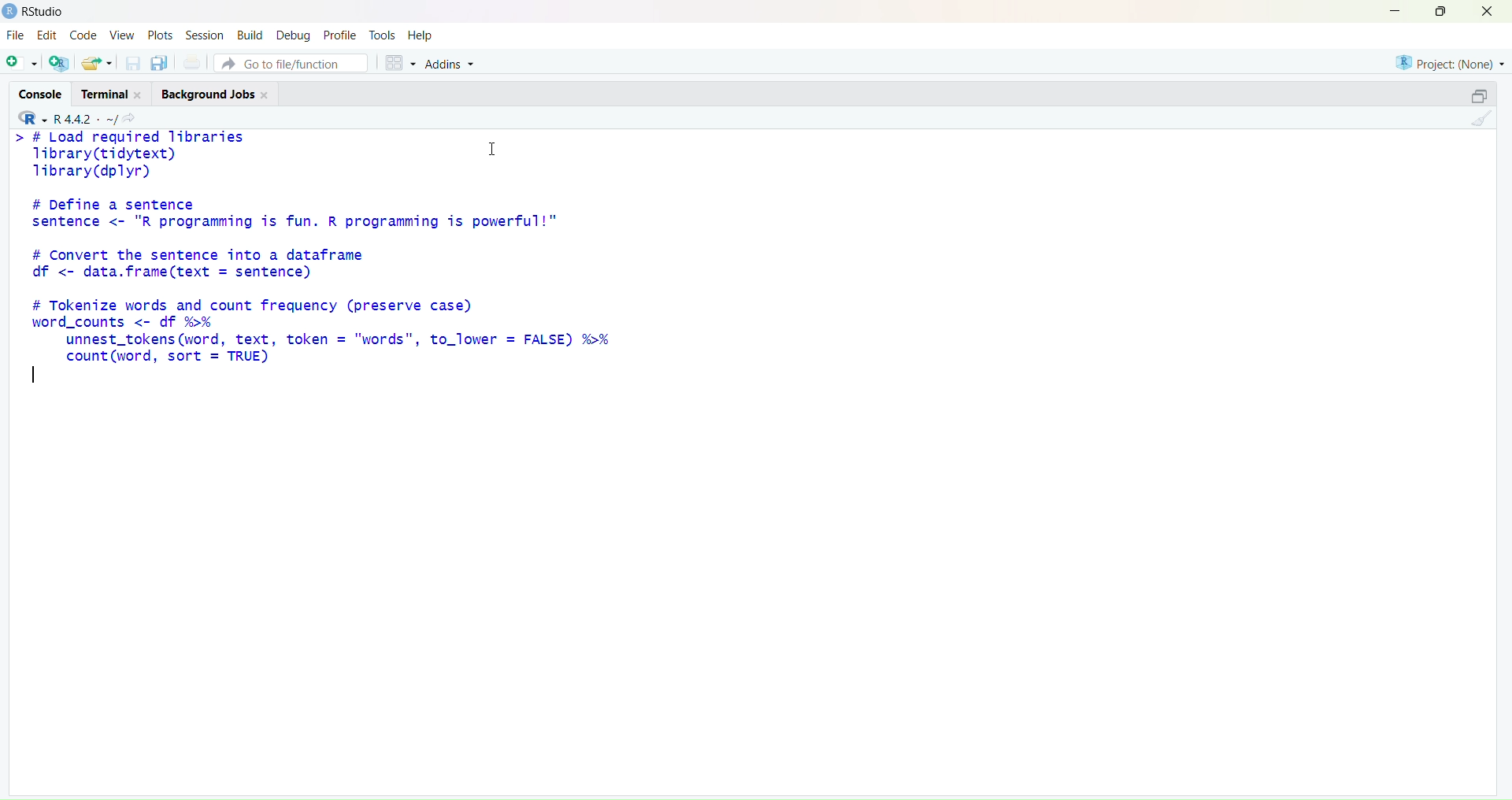  I want to click on new script, so click(23, 63).